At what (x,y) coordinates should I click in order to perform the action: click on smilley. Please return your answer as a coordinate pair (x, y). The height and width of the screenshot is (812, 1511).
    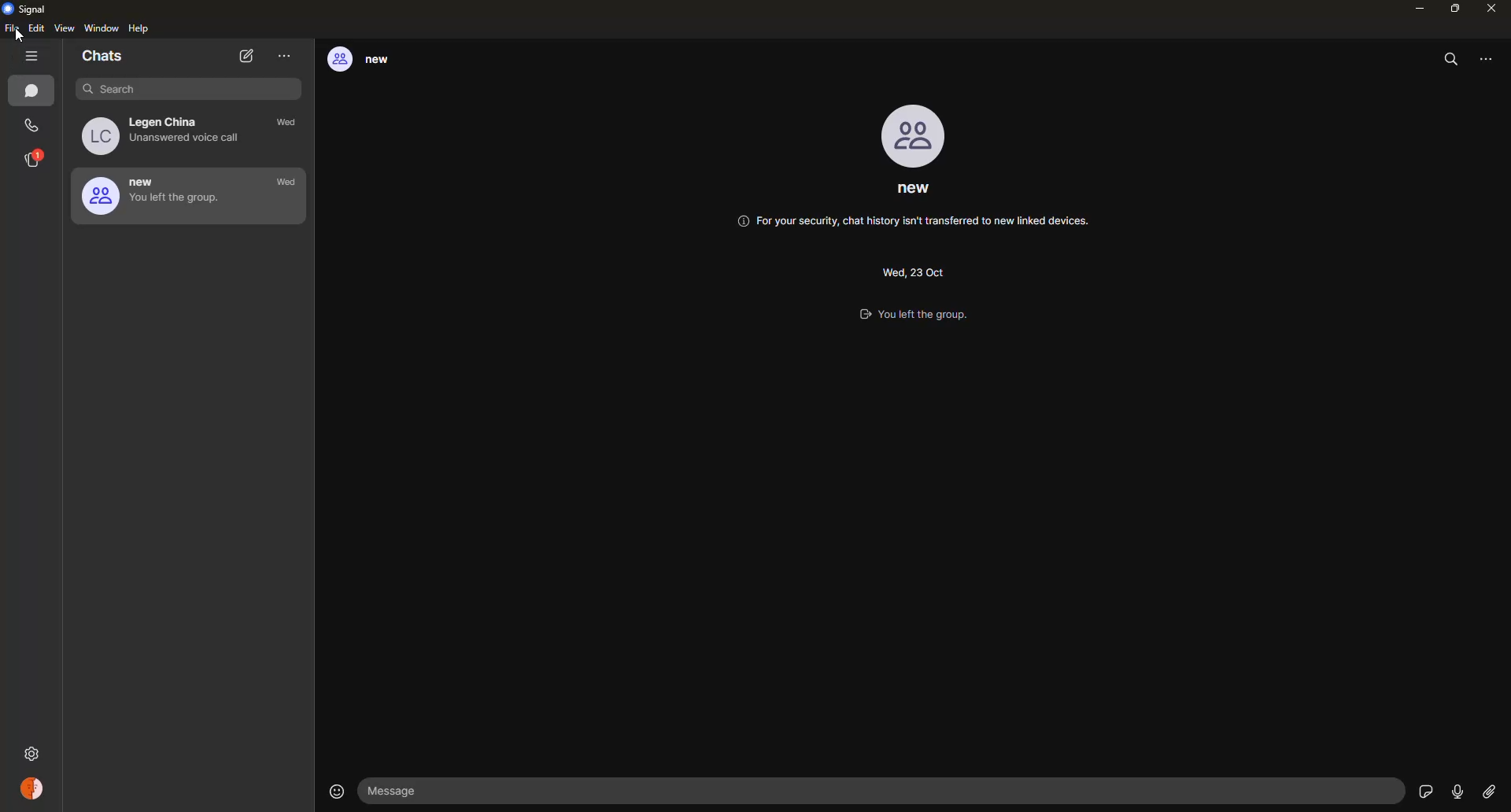
    Looking at the image, I should click on (334, 791).